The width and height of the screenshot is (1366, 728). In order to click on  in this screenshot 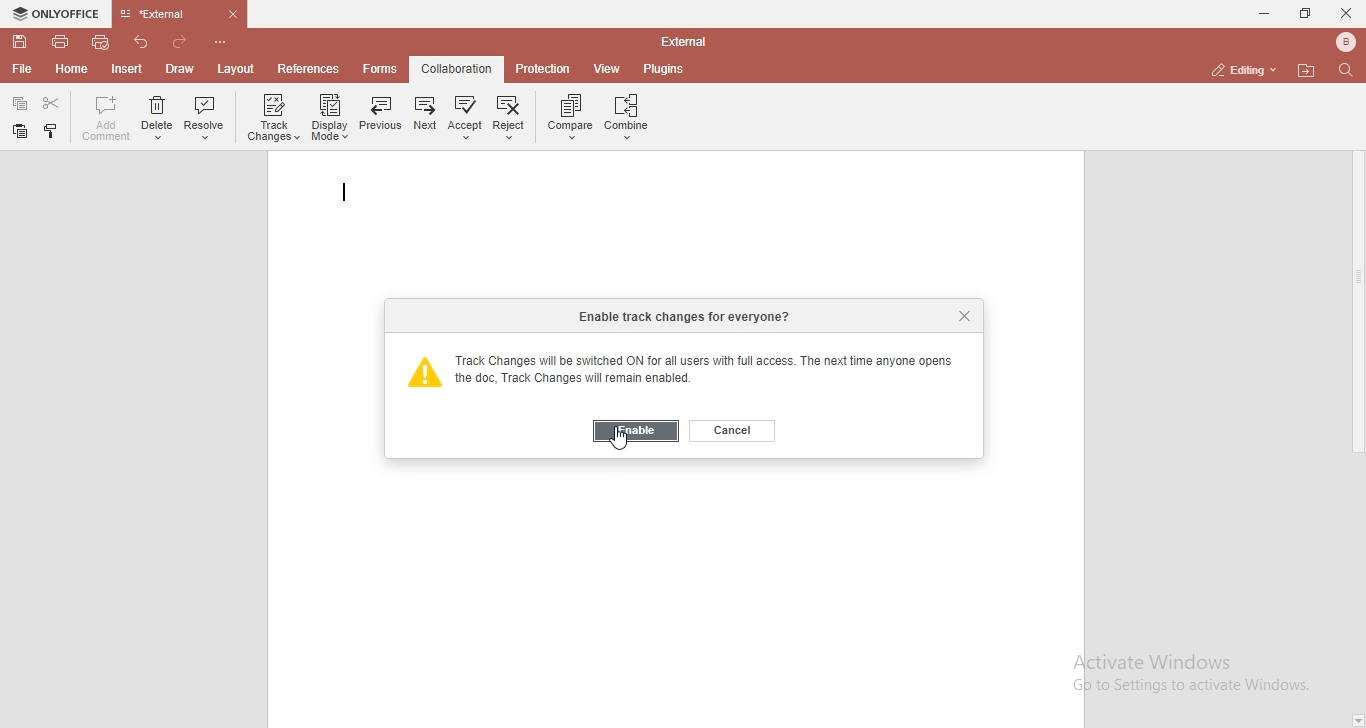, I will do `click(463, 117)`.